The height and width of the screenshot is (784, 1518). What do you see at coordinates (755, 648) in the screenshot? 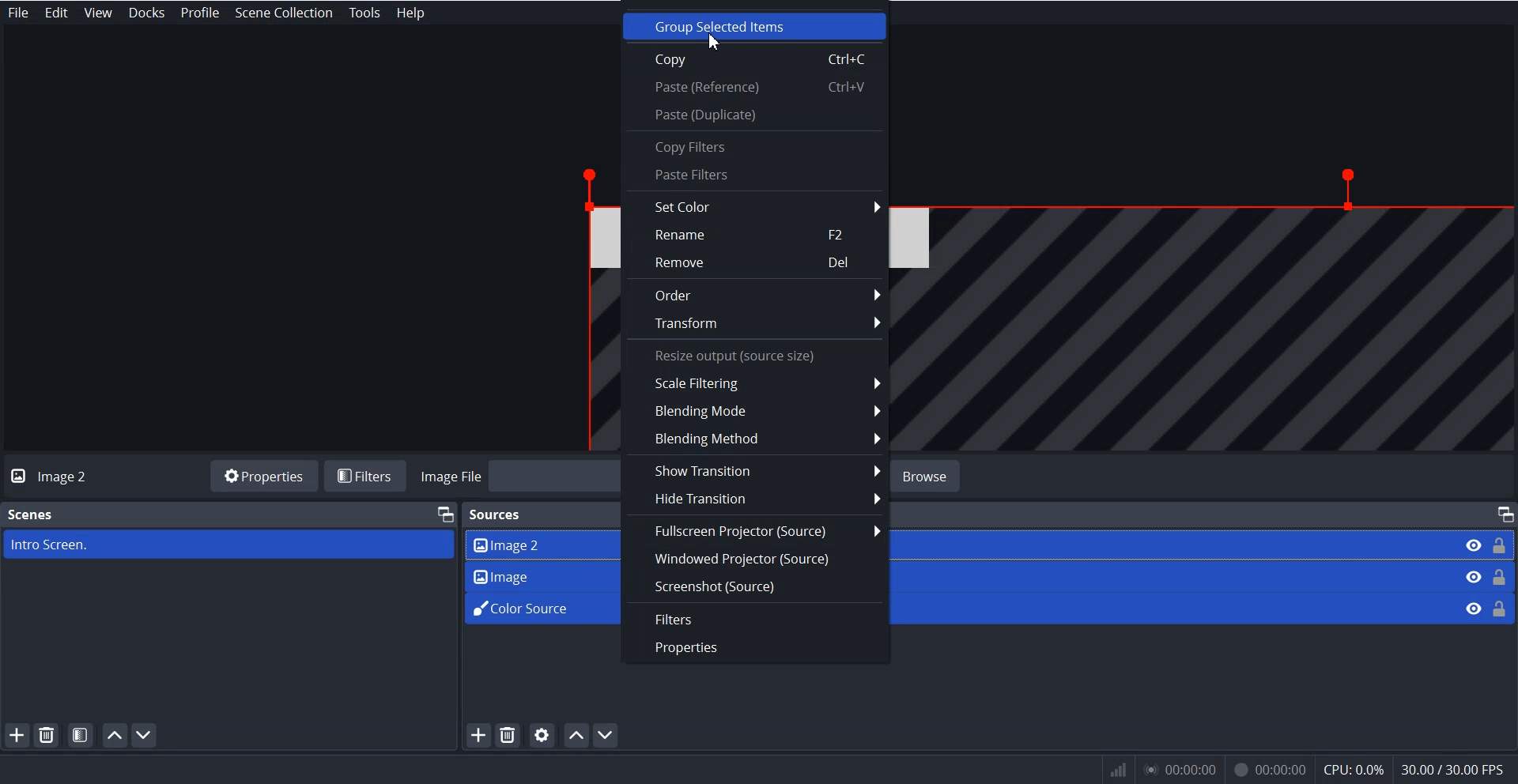
I see `Properties ` at bounding box center [755, 648].